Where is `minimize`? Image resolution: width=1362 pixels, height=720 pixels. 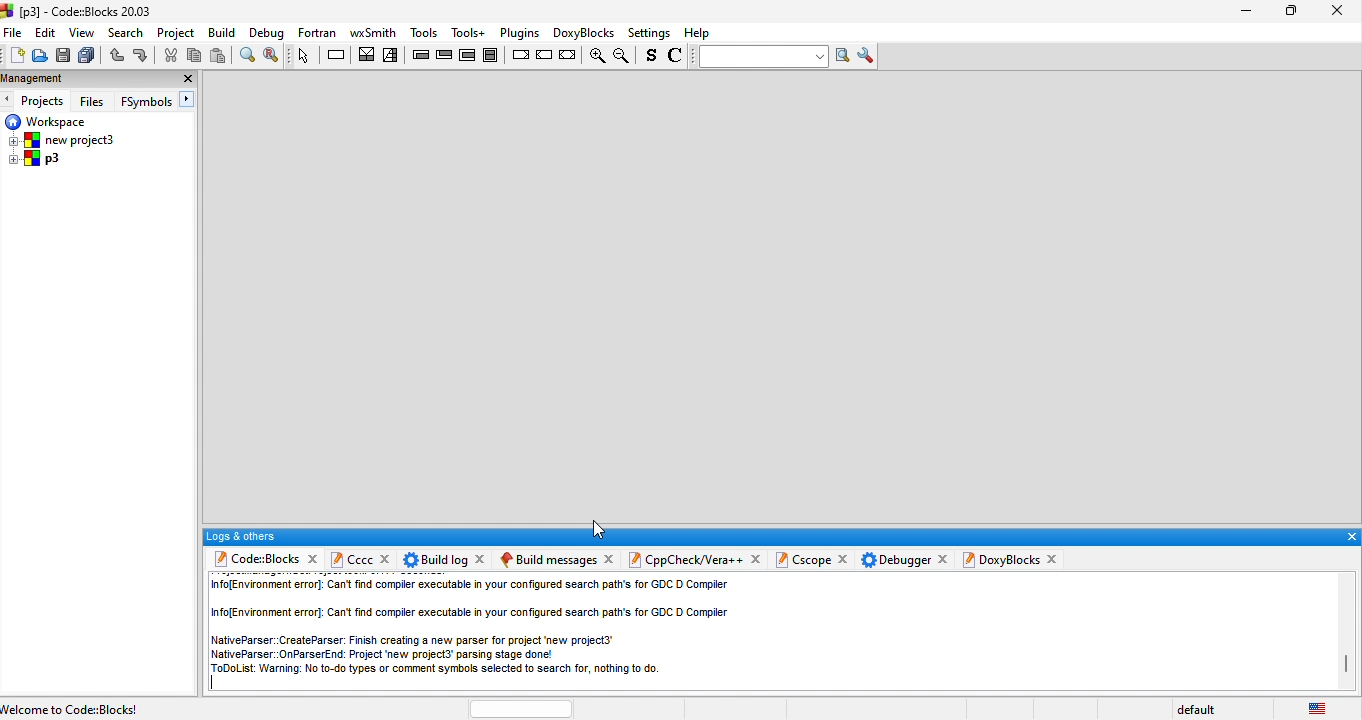 minimize is located at coordinates (1245, 13).